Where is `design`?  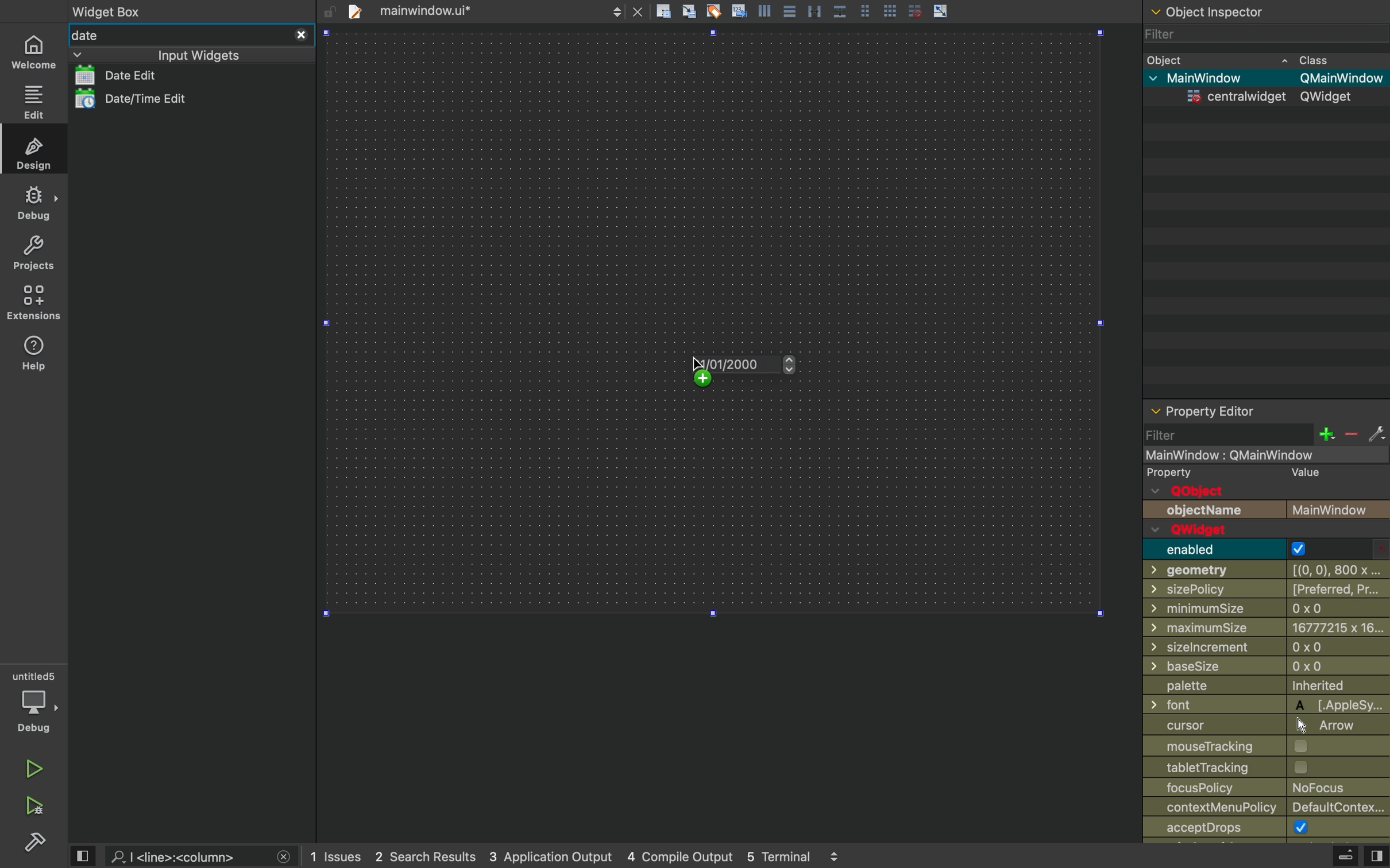
design is located at coordinates (32, 150).